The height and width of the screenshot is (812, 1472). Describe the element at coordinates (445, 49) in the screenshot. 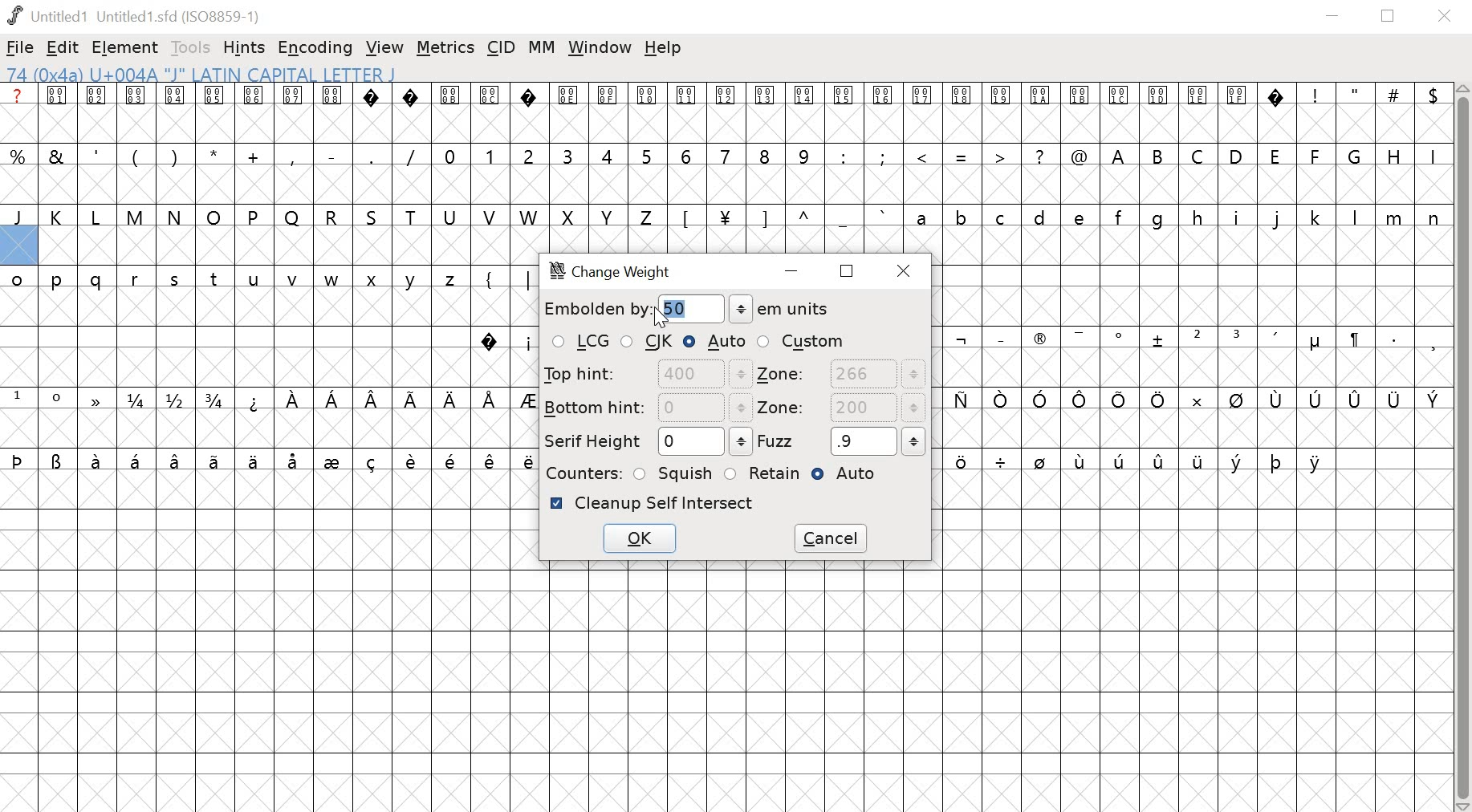

I see `METRICS` at that location.